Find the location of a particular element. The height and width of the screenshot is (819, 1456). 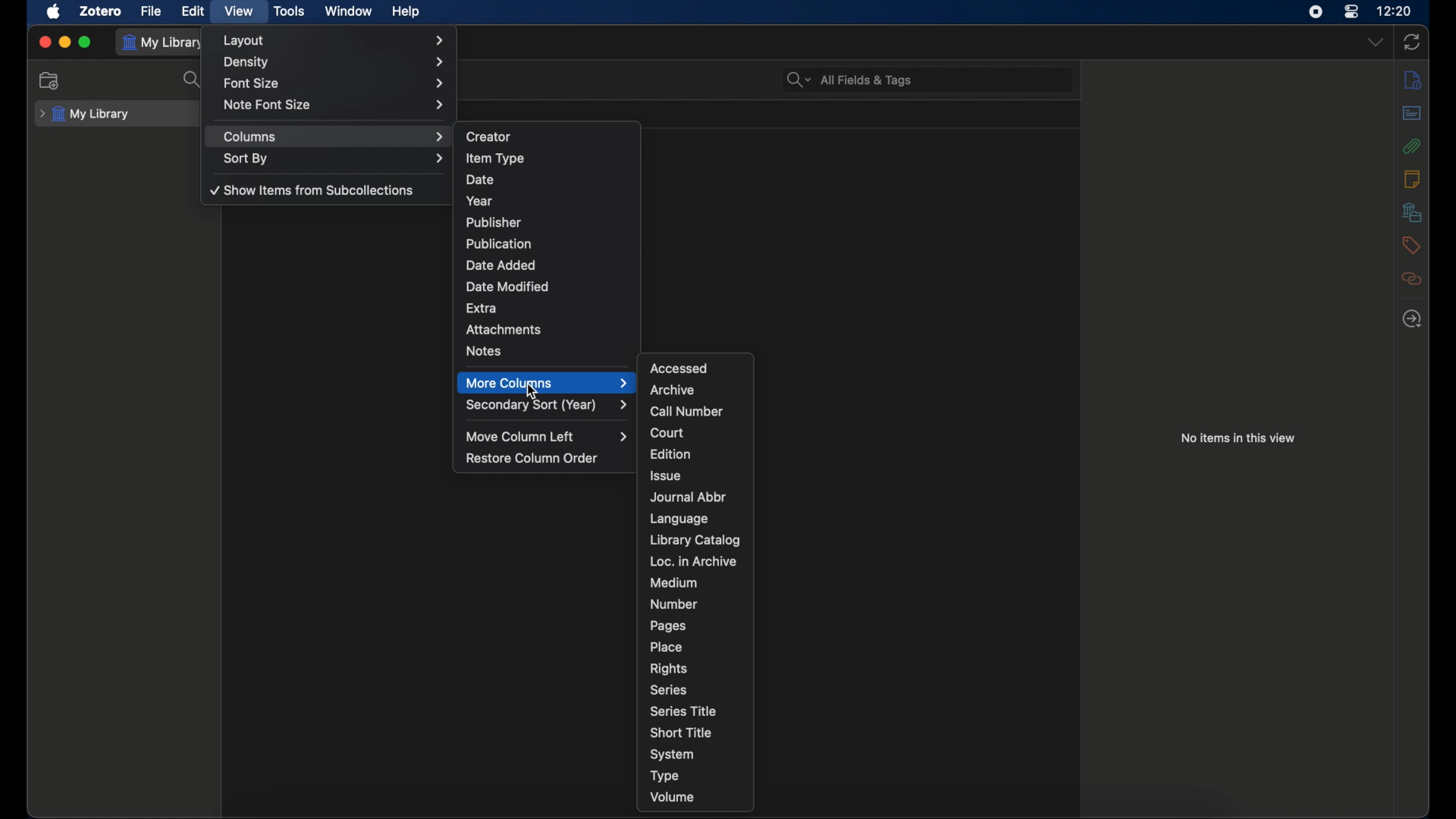

rights is located at coordinates (669, 670).